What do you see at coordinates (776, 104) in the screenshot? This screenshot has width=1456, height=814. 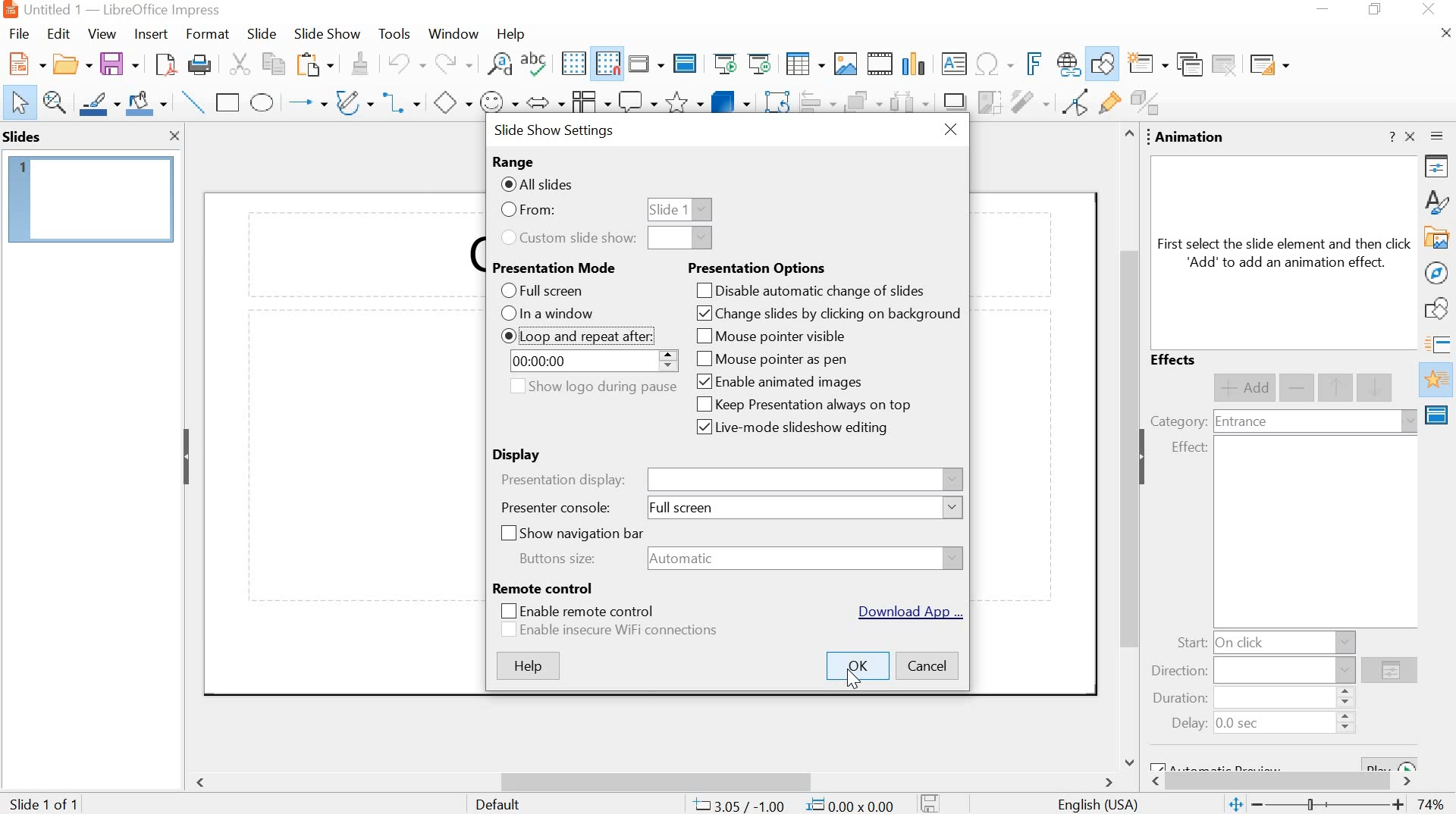 I see `rotate` at bounding box center [776, 104].